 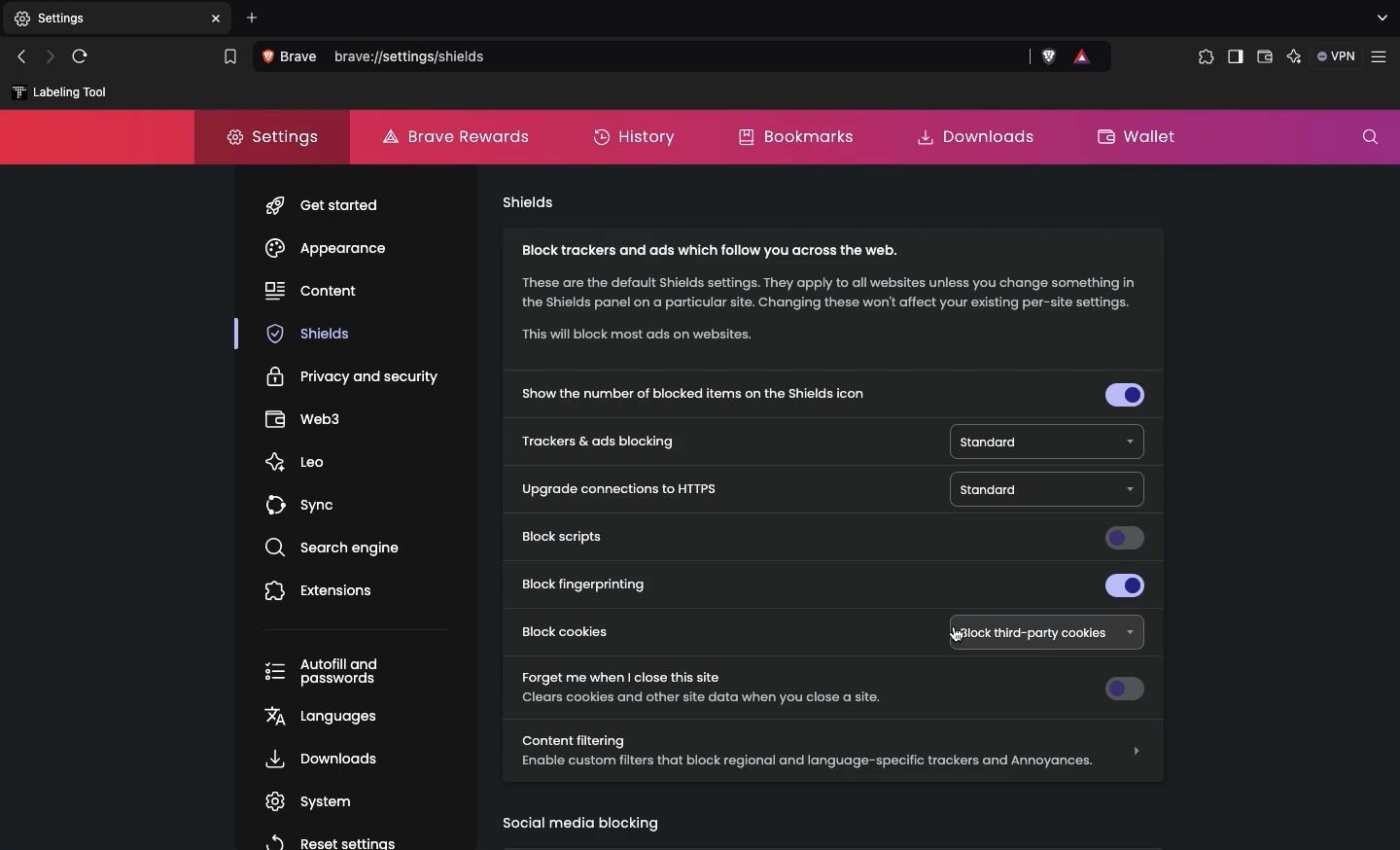 What do you see at coordinates (579, 632) in the screenshot?
I see `Block cookies` at bounding box center [579, 632].